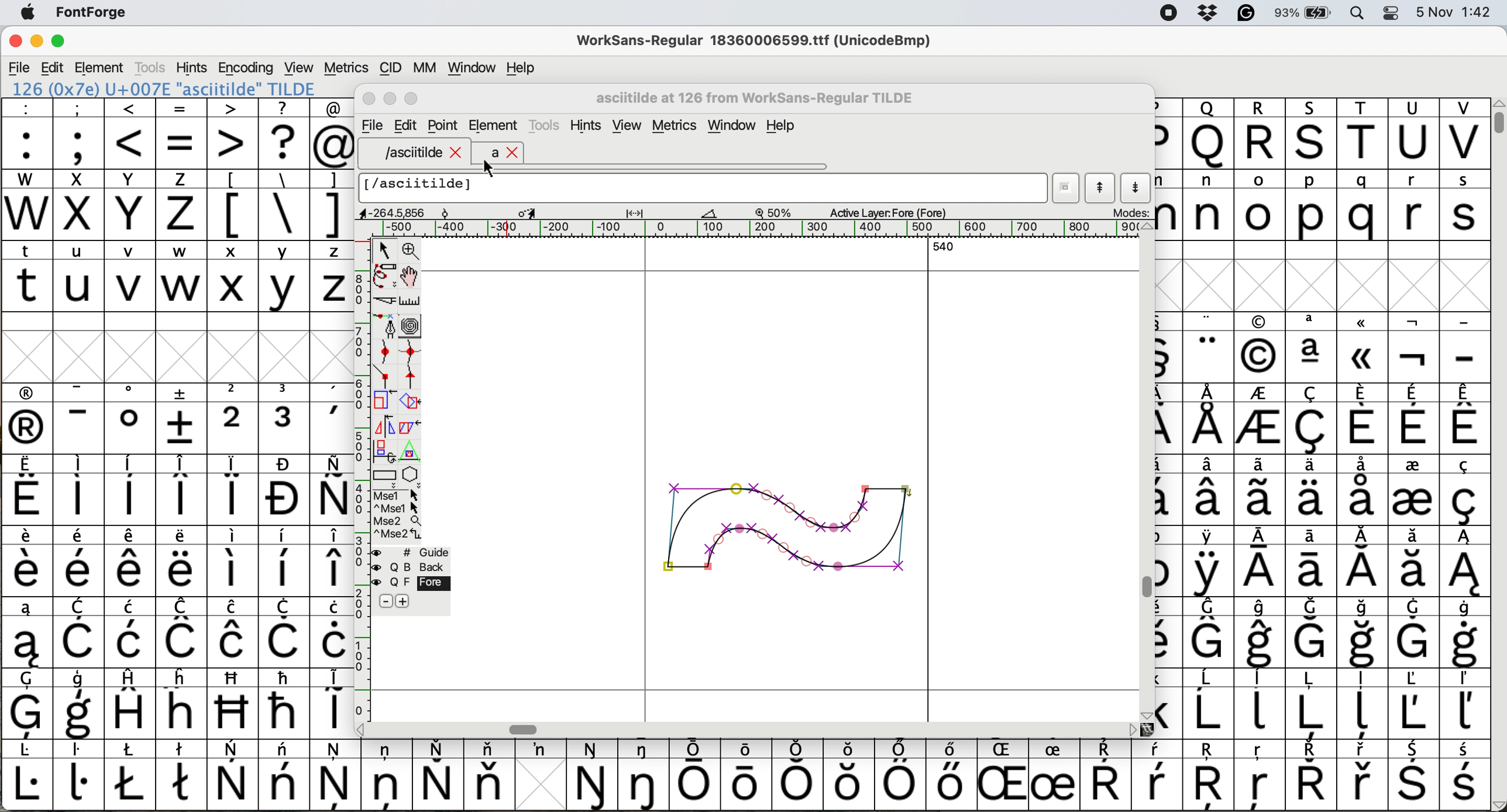 The height and width of the screenshot is (812, 1507). I want to click on t, so click(27, 275).